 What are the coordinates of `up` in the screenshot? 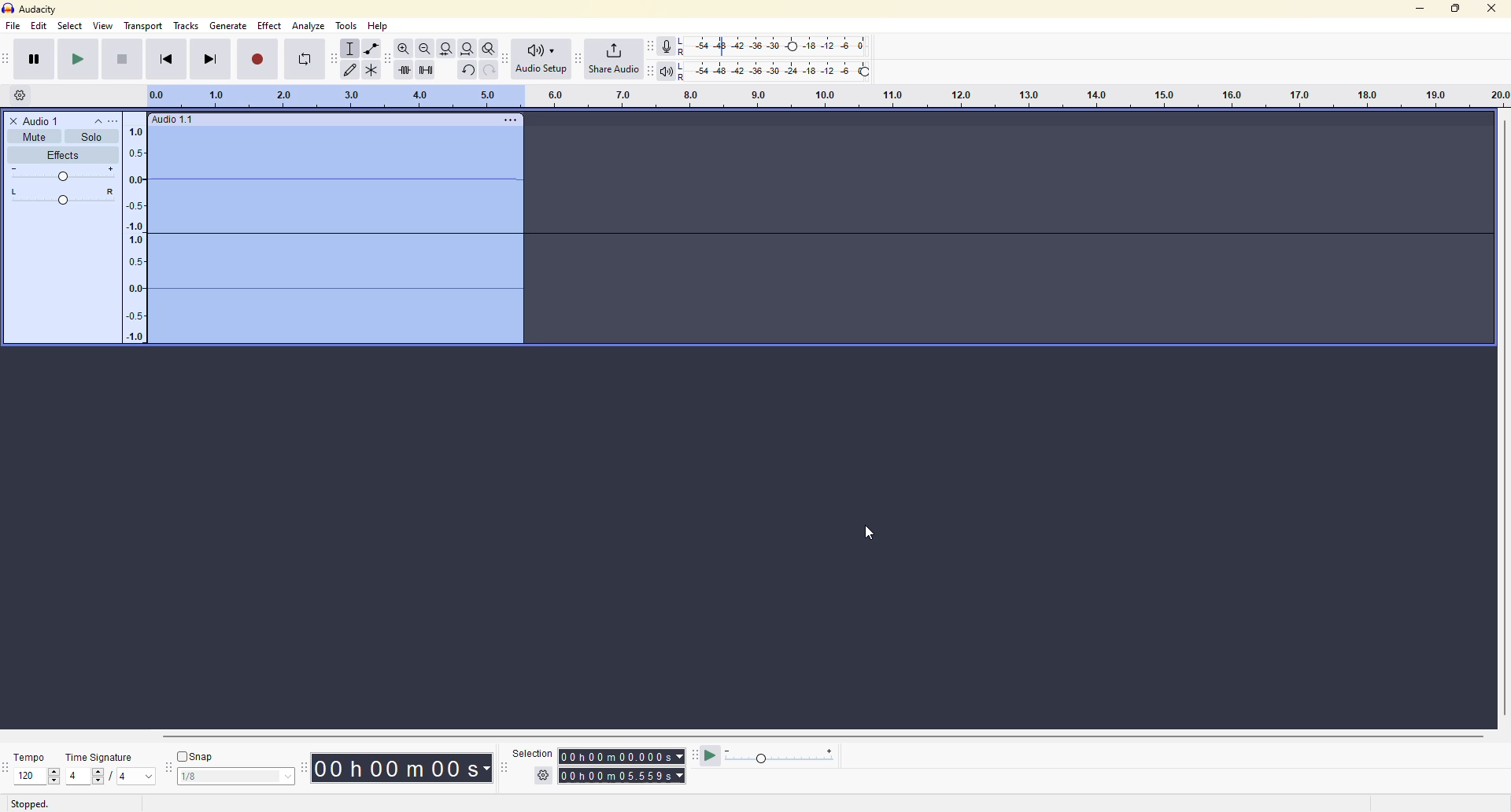 It's located at (54, 770).